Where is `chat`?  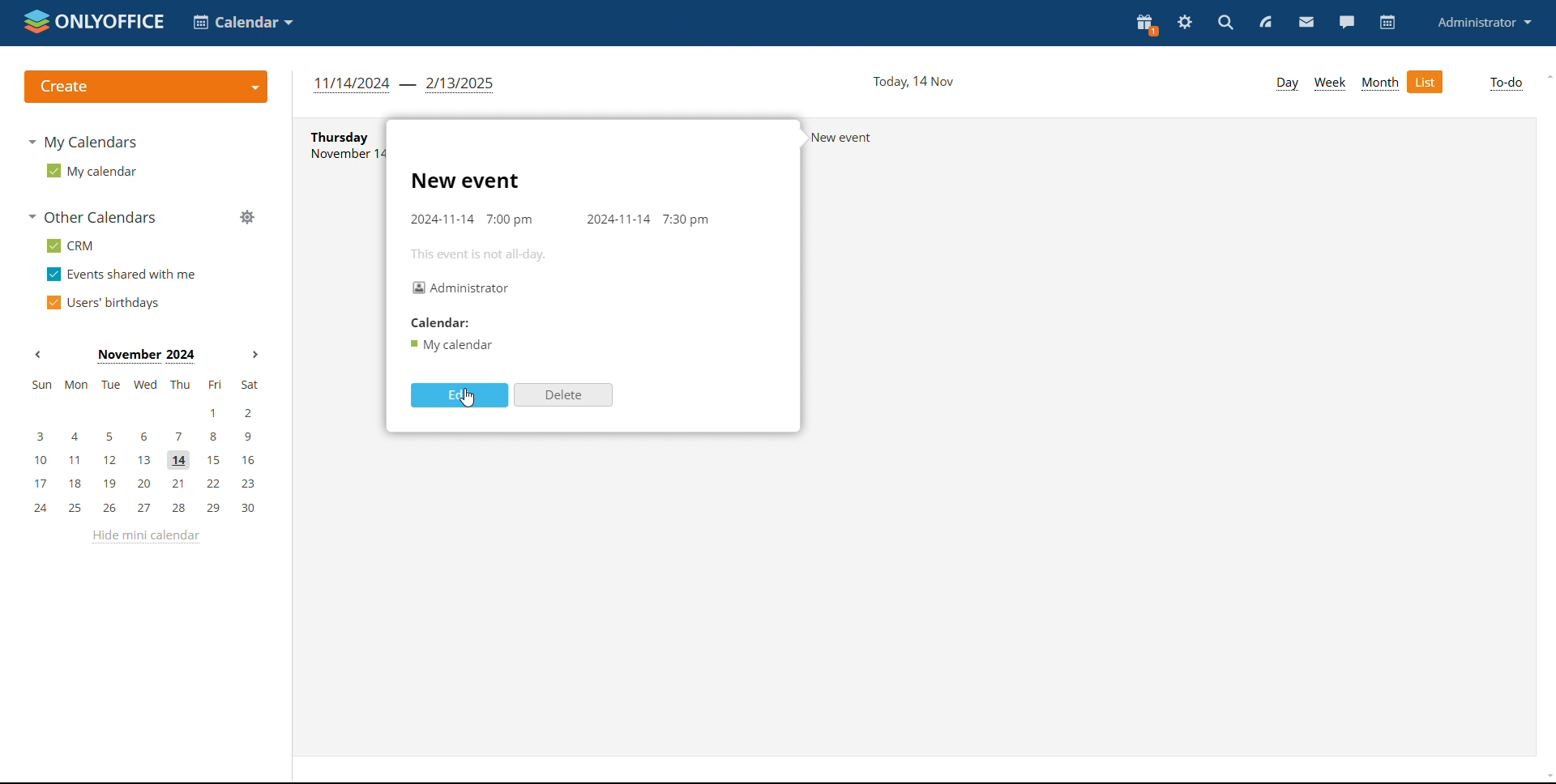
chat is located at coordinates (1346, 23).